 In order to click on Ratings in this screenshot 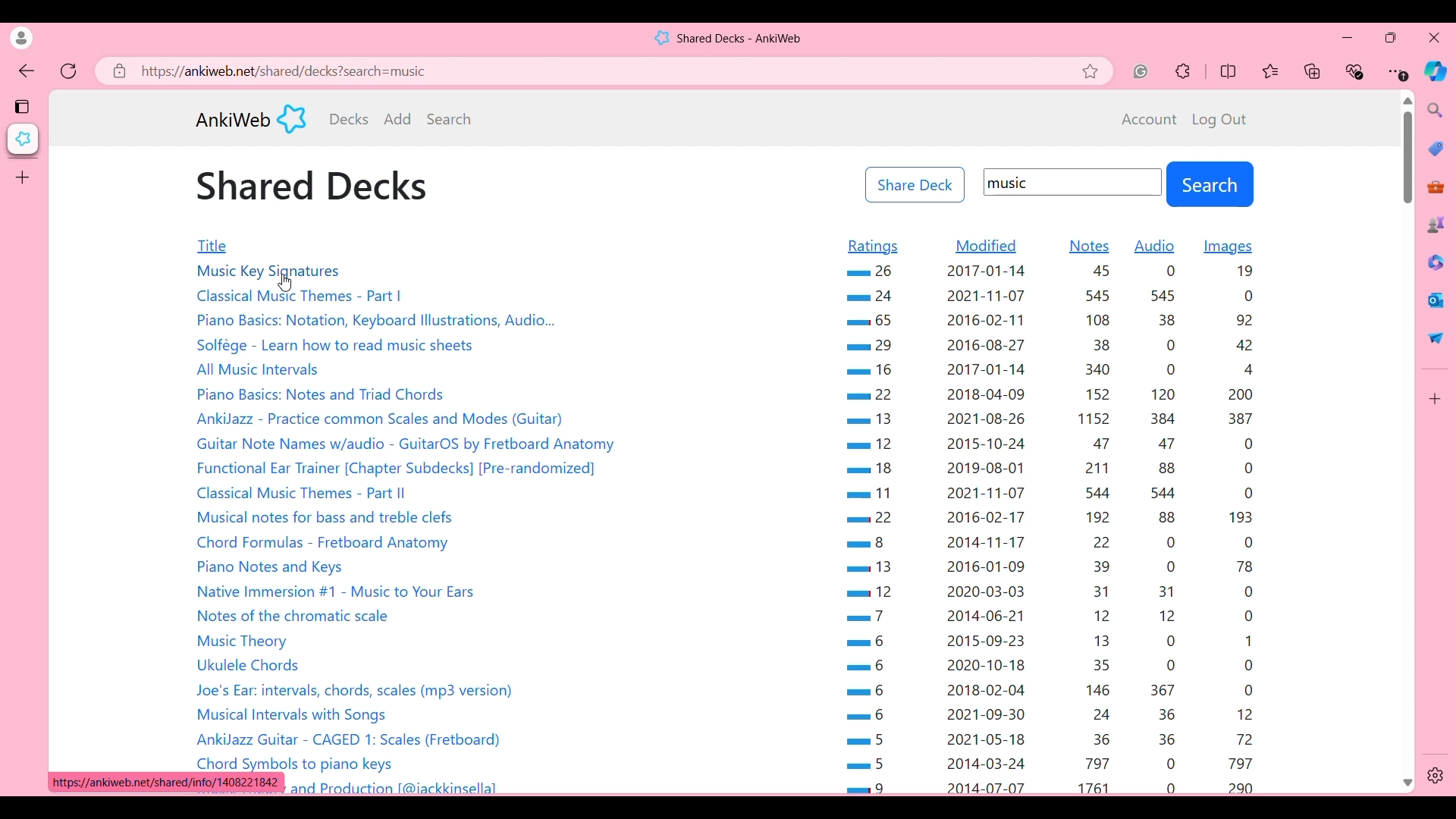, I will do `click(873, 247)`.